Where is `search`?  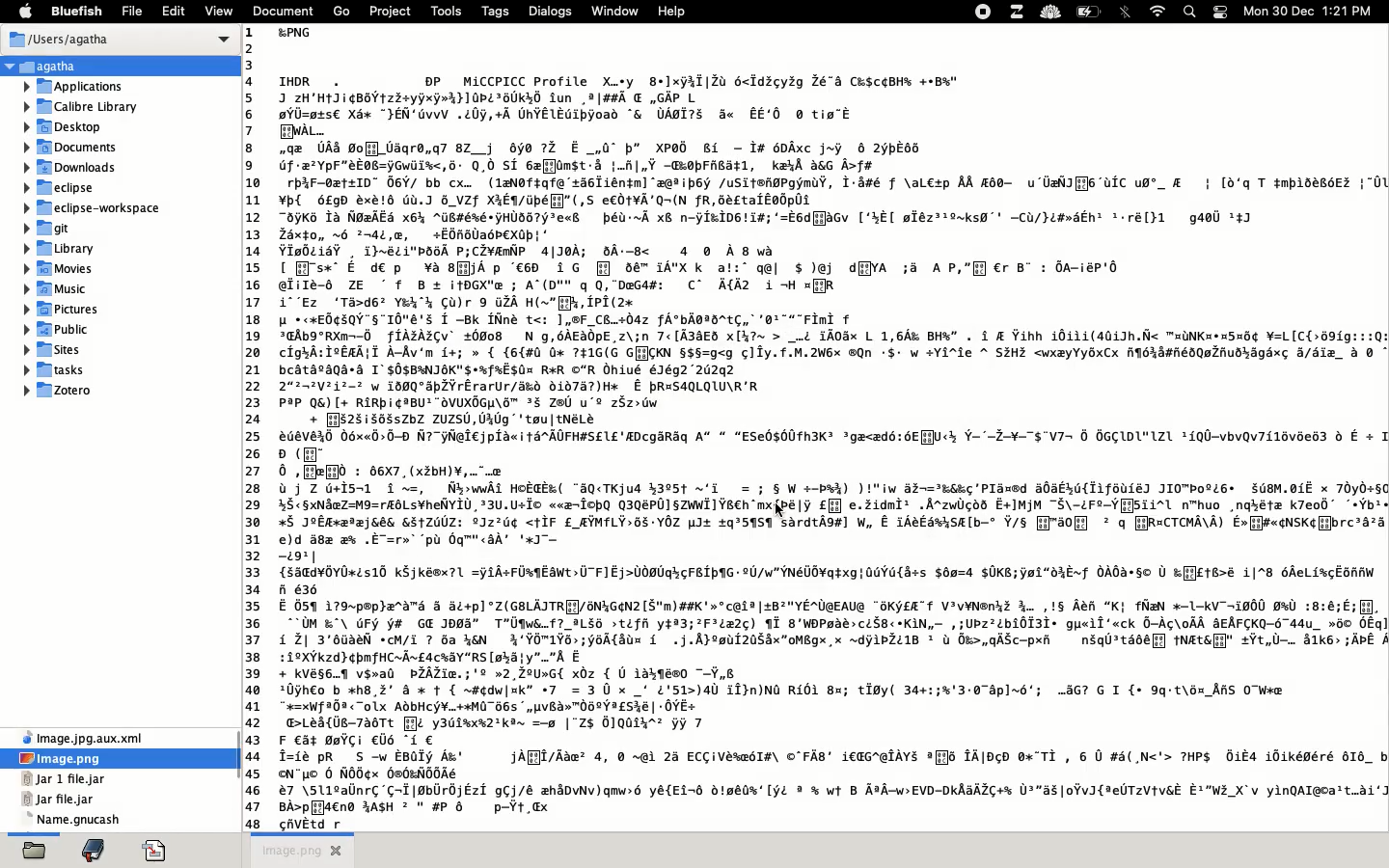 search is located at coordinates (1189, 12).